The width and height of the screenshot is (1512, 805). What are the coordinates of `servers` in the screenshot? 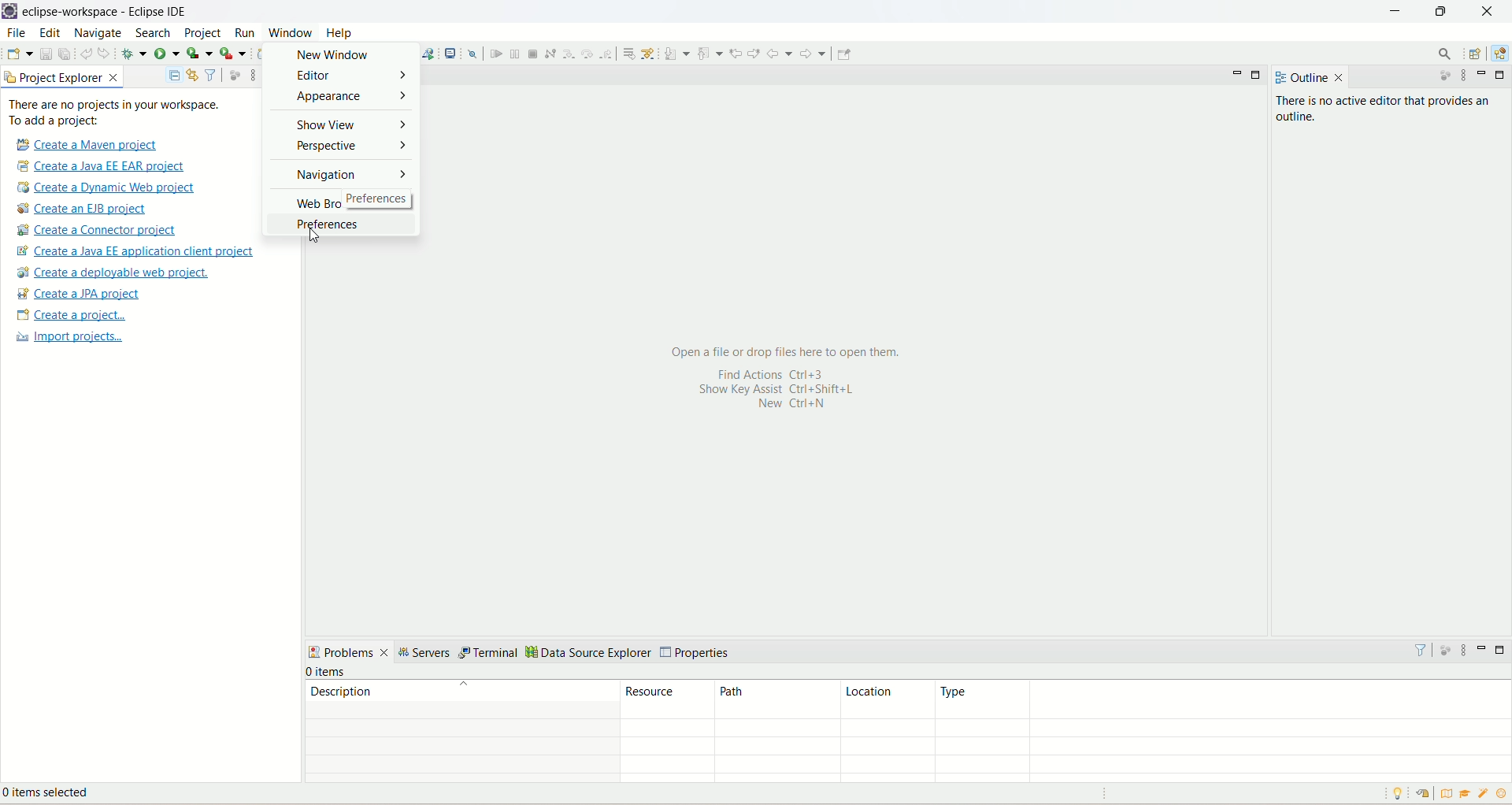 It's located at (427, 653).